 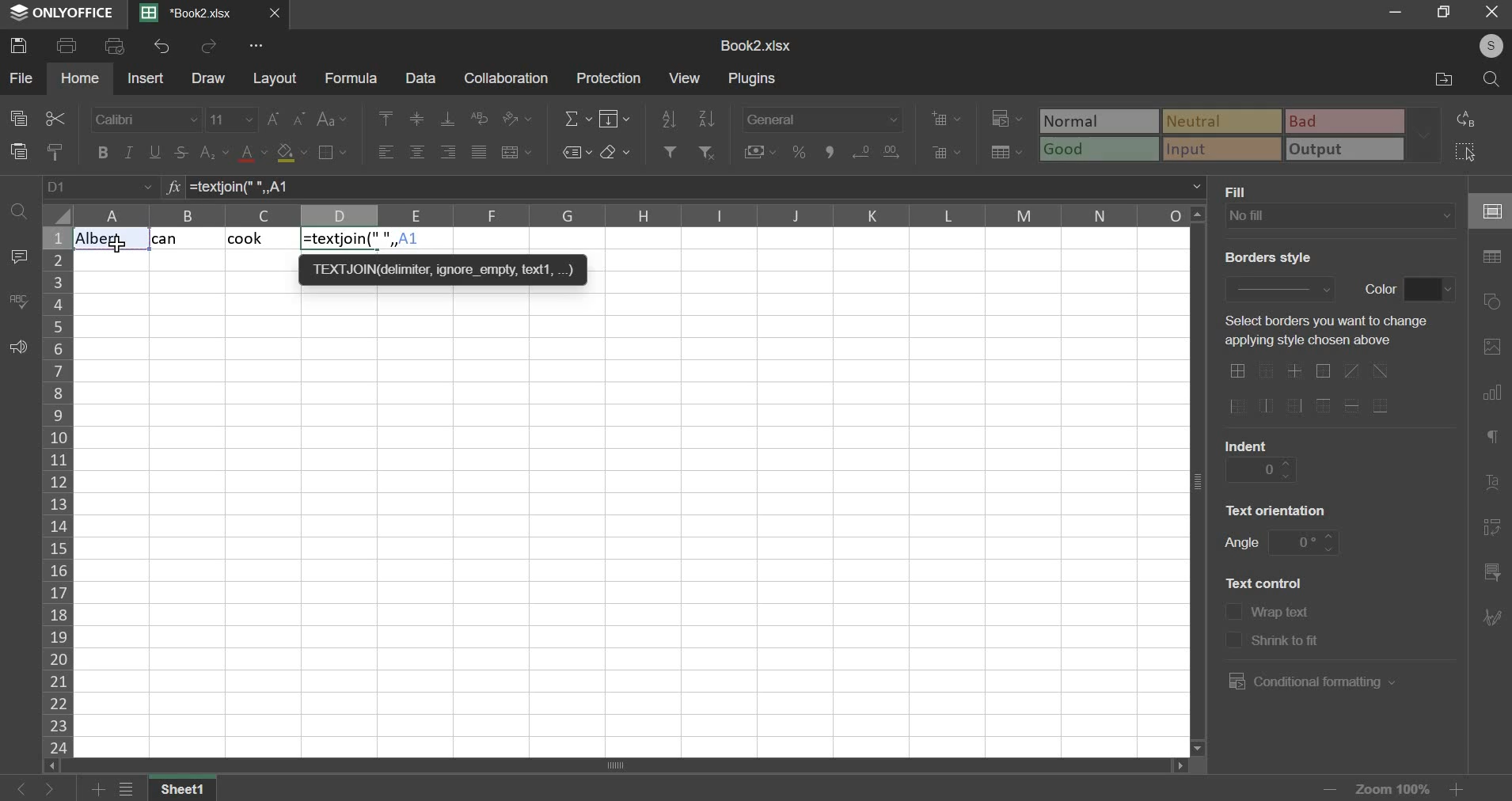 What do you see at coordinates (576, 152) in the screenshot?
I see `named ranges` at bounding box center [576, 152].